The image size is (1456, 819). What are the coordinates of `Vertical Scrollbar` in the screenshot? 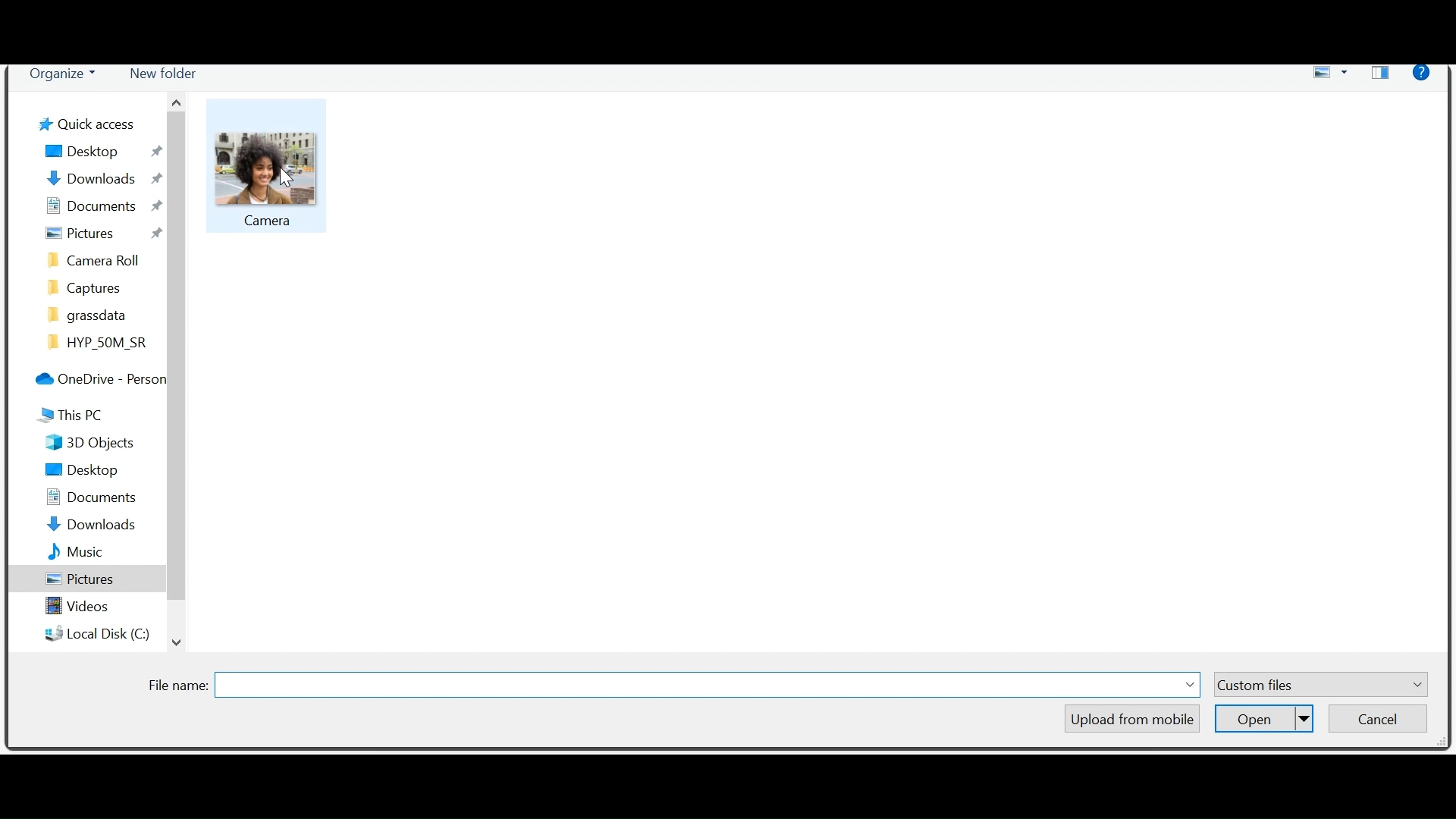 It's located at (176, 356).